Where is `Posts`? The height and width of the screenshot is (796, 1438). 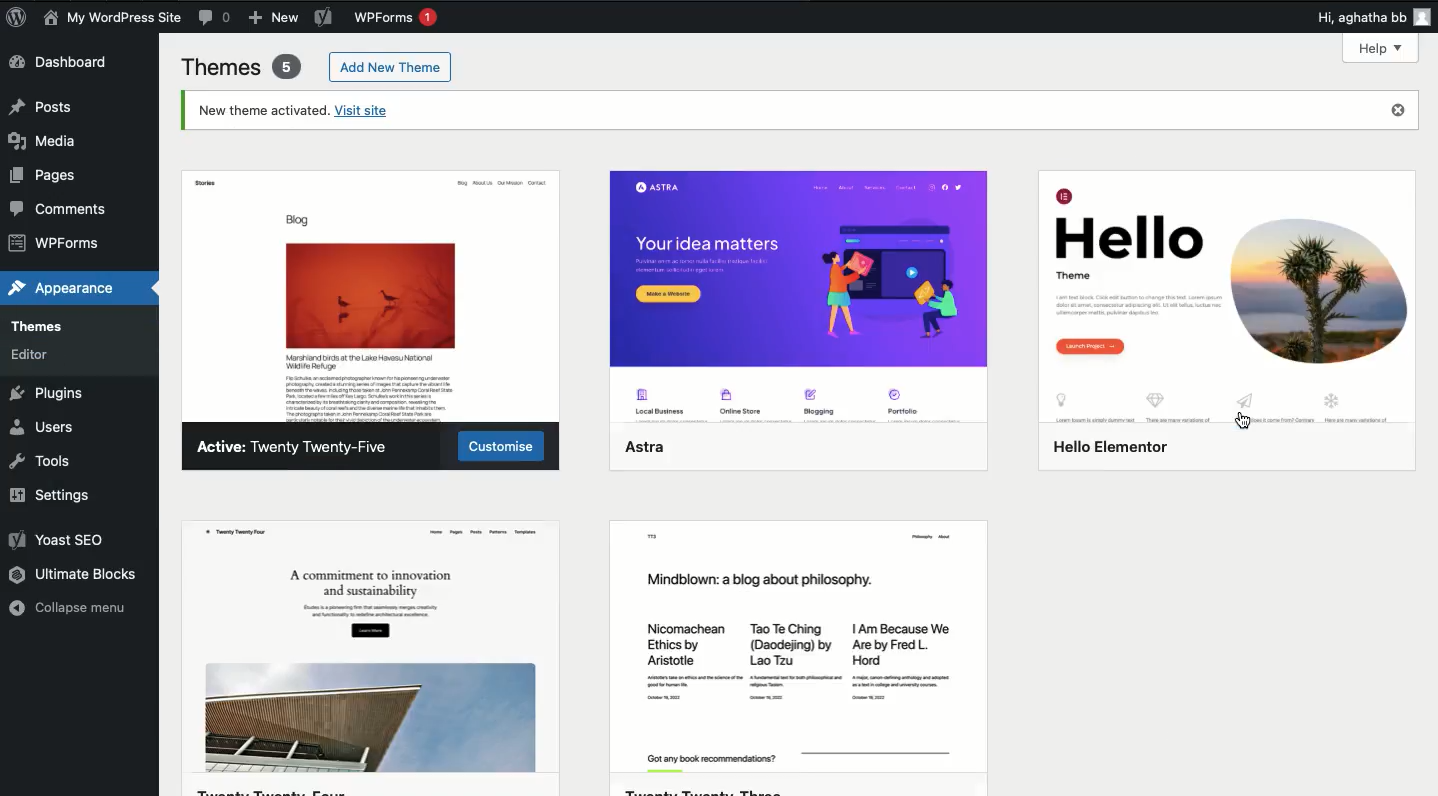
Posts is located at coordinates (41, 106).